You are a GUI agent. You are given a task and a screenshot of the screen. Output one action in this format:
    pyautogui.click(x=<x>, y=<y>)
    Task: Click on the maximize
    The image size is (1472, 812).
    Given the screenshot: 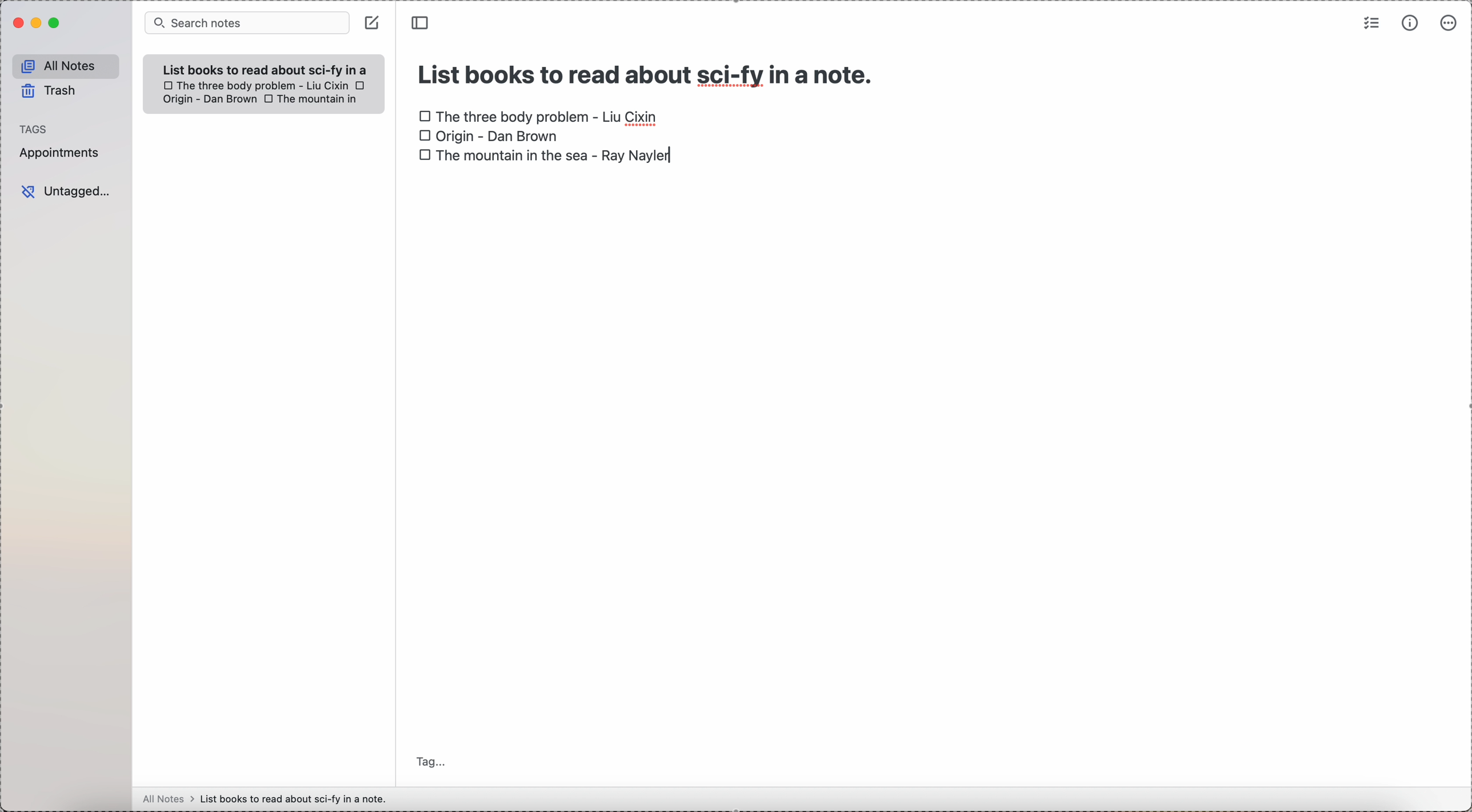 What is the action you would take?
    pyautogui.click(x=54, y=25)
    